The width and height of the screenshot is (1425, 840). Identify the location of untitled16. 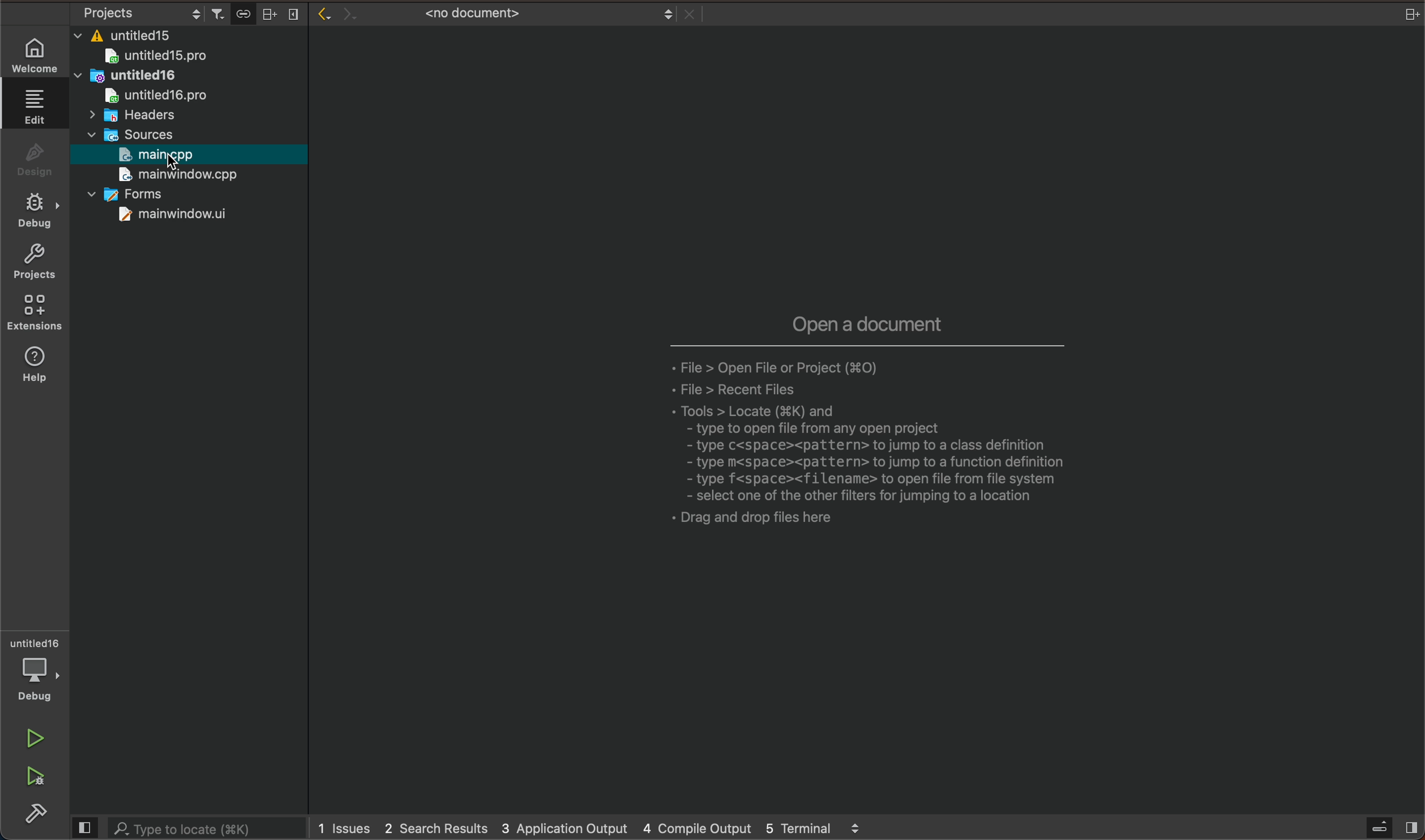
(155, 78).